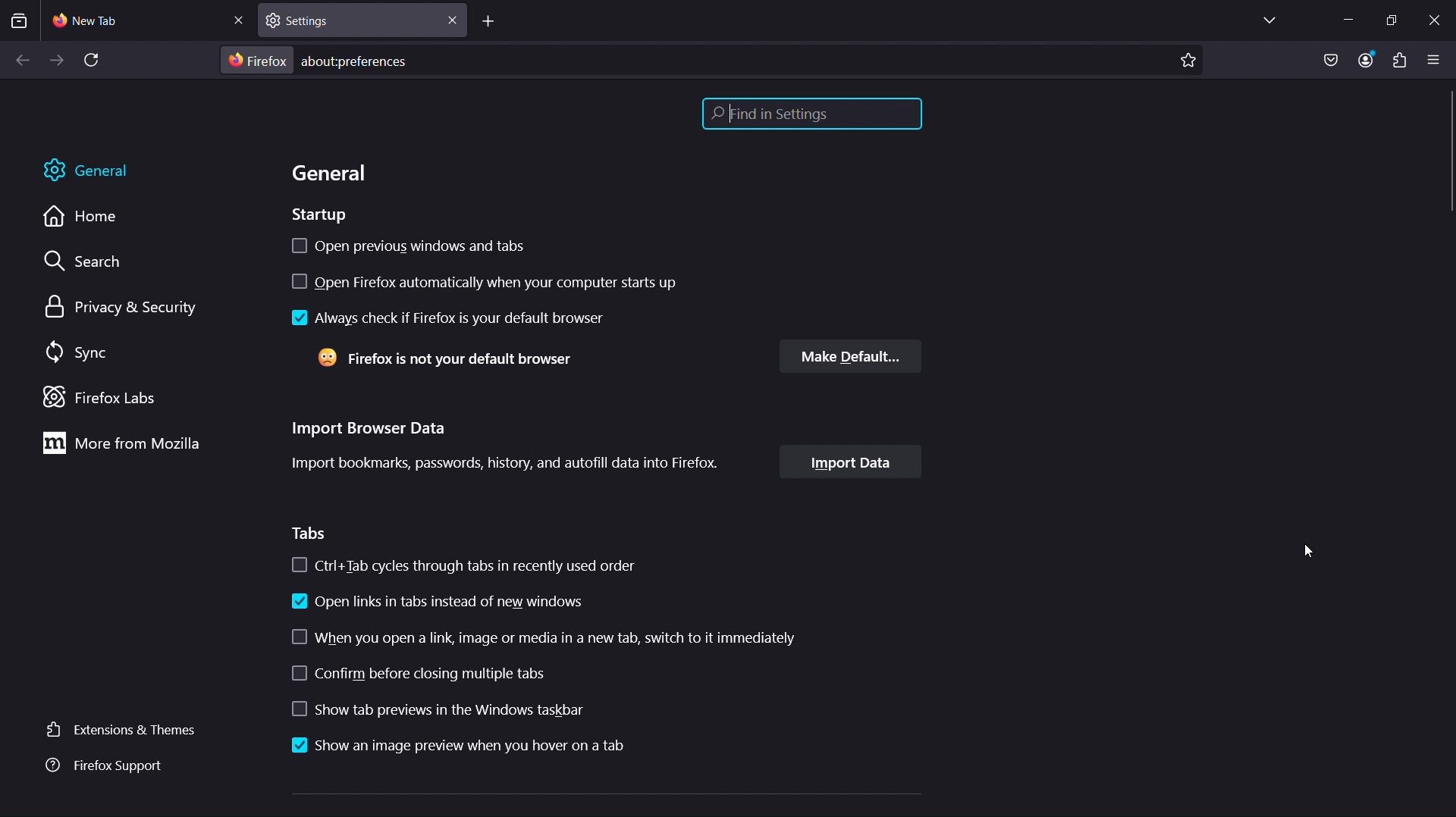 The height and width of the screenshot is (817, 1456). What do you see at coordinates (87, 168) in the screenshot?
I see `General` at bounding box center [87, 168].